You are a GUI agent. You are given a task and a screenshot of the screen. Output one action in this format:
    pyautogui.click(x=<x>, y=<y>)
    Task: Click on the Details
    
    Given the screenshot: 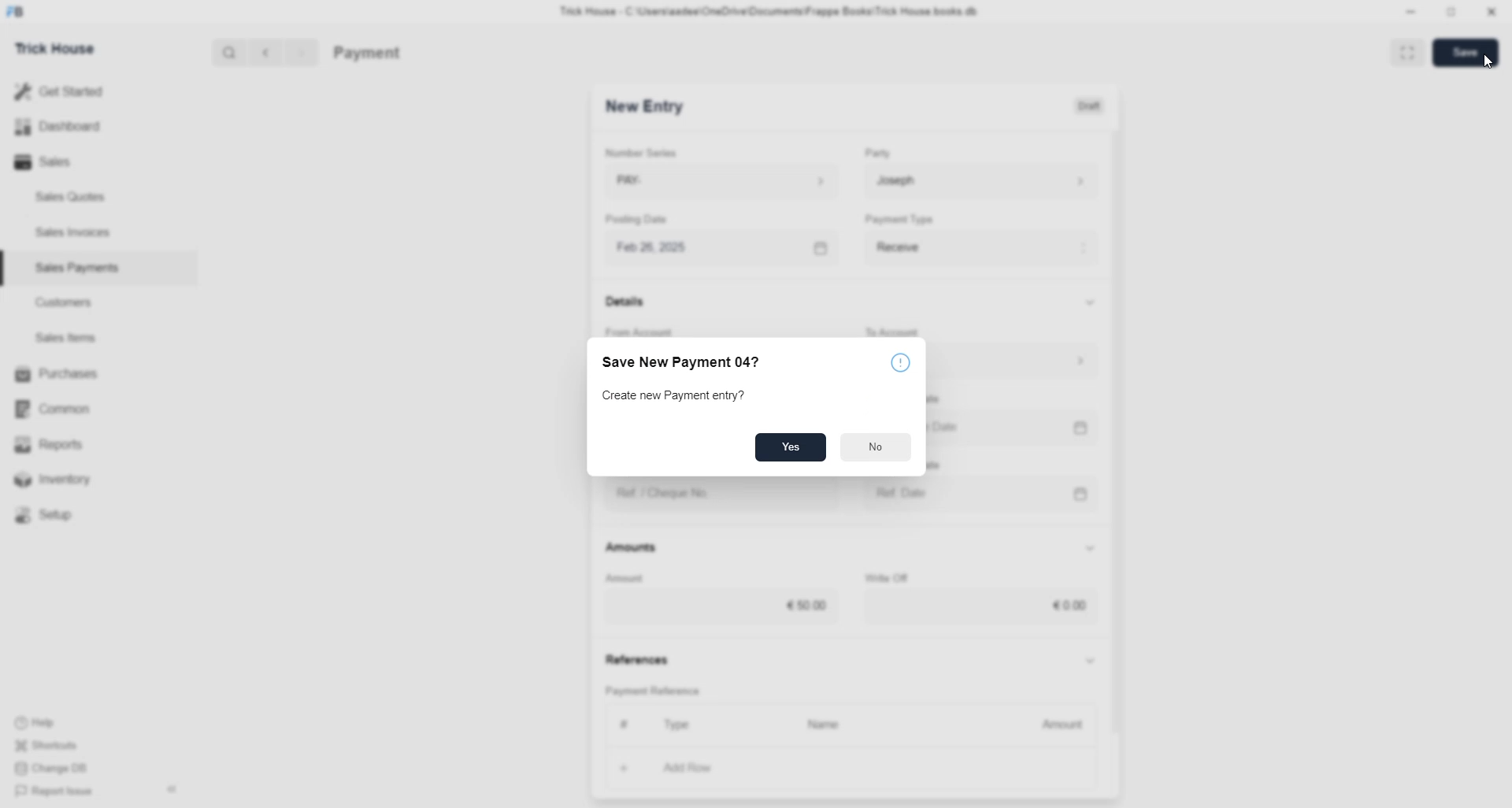 What is the action you would take?
    pyautogui.click(x=627, y=301)
    